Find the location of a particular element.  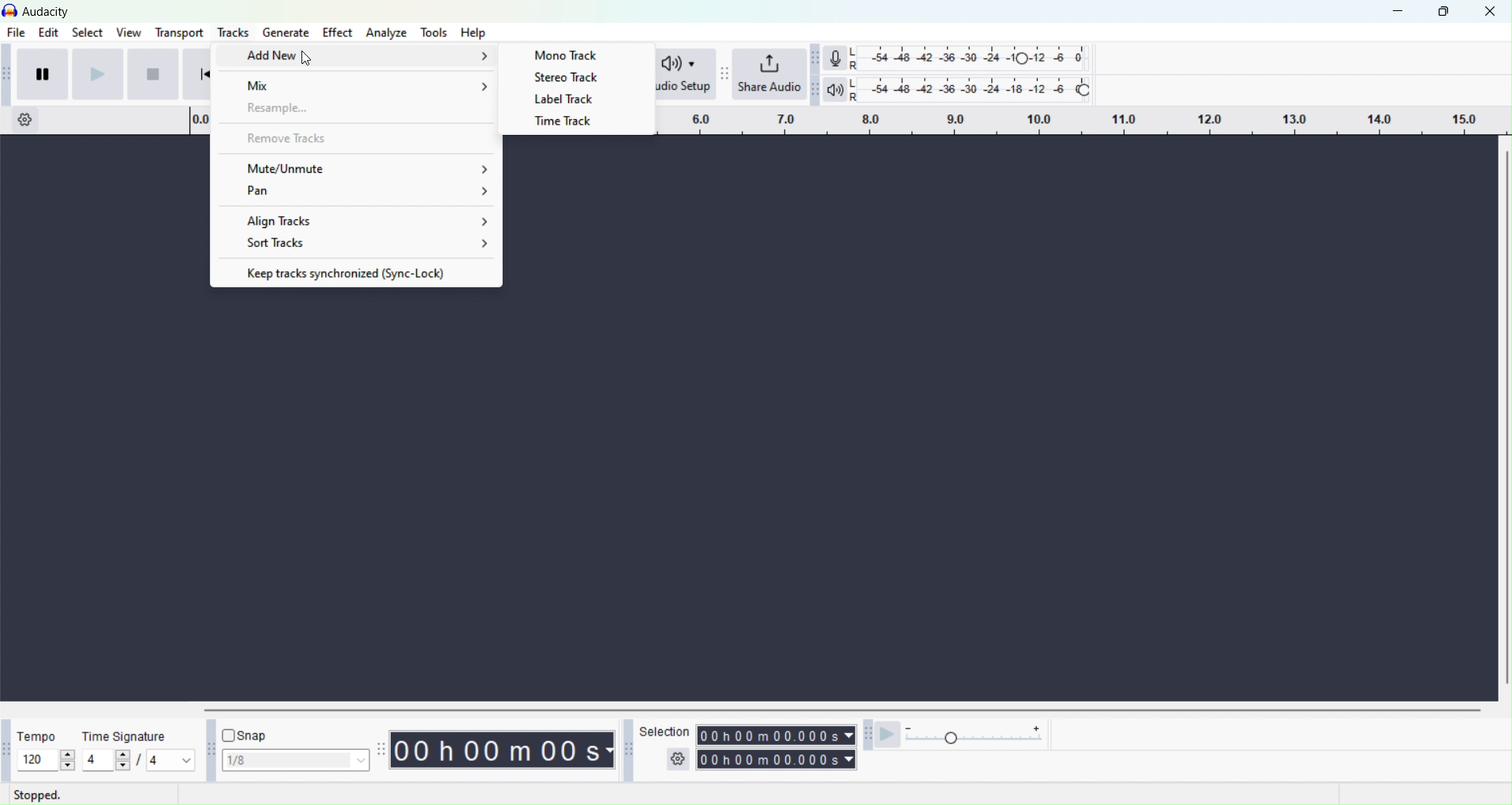

current window: Audacity is located at coordinates (48, 11).